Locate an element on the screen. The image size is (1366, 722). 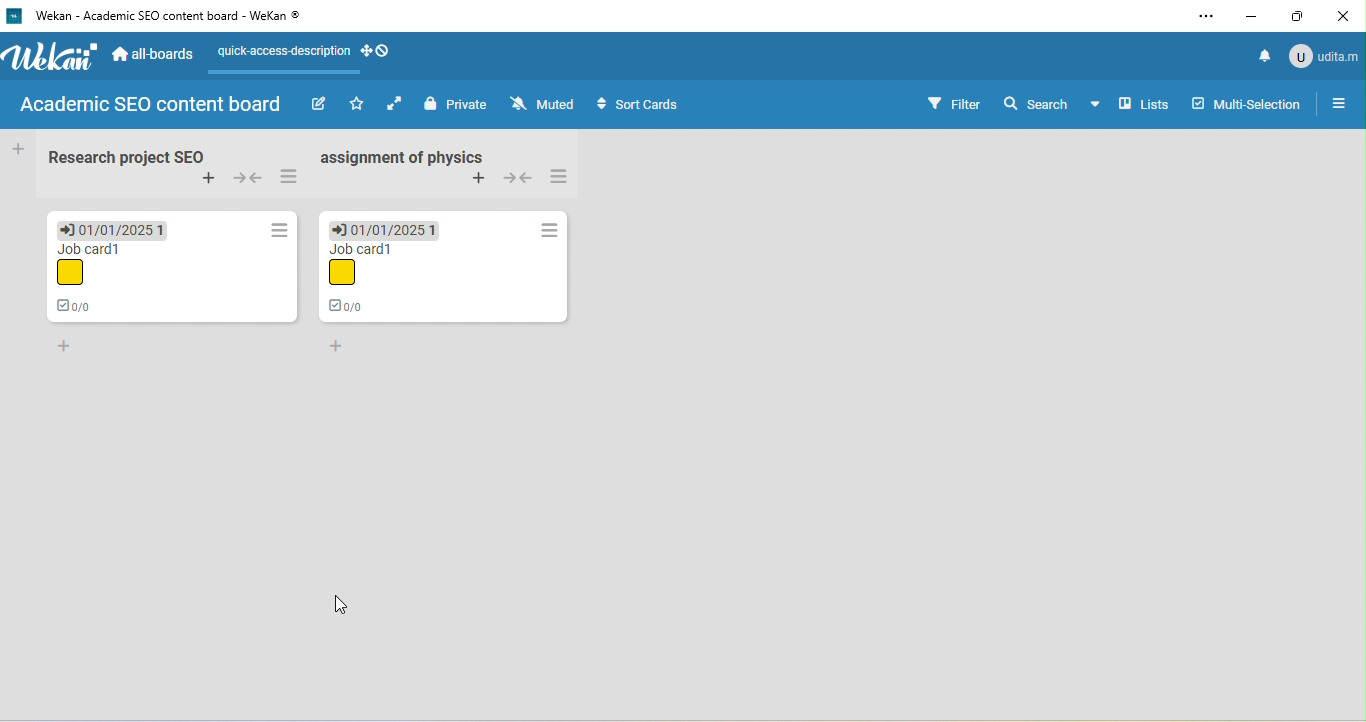
due date is located at coordinates (114, 228).